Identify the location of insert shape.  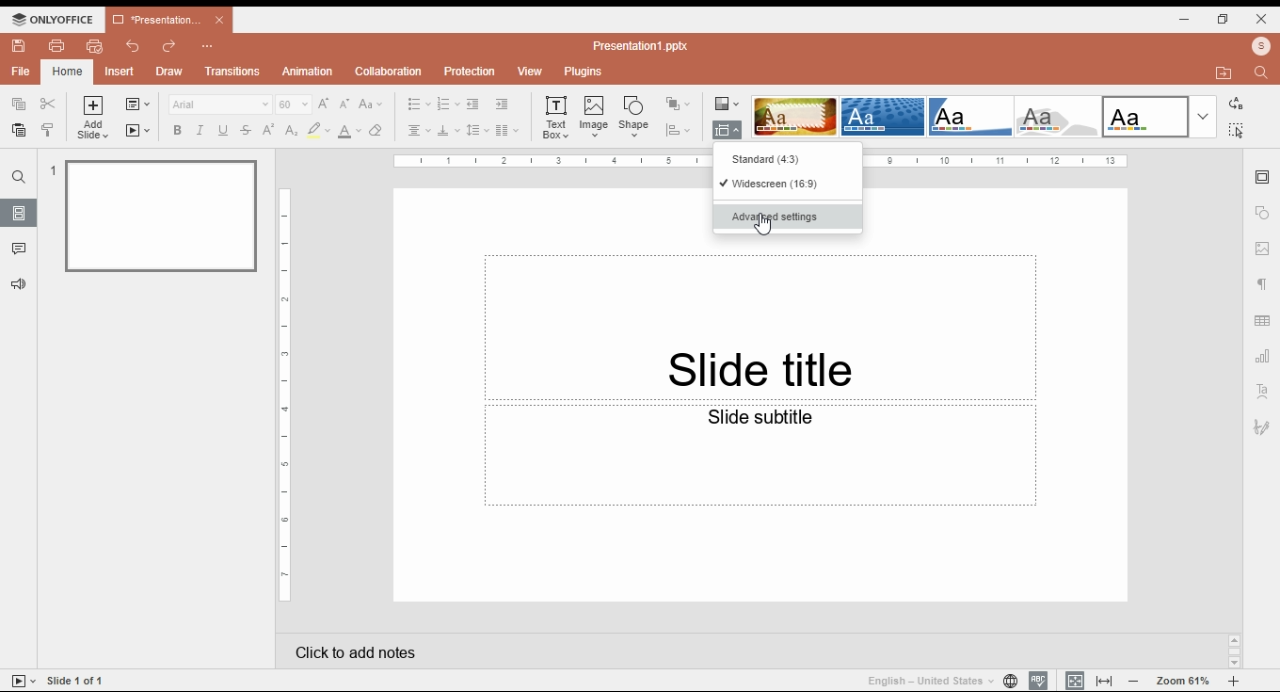
(635, 116).